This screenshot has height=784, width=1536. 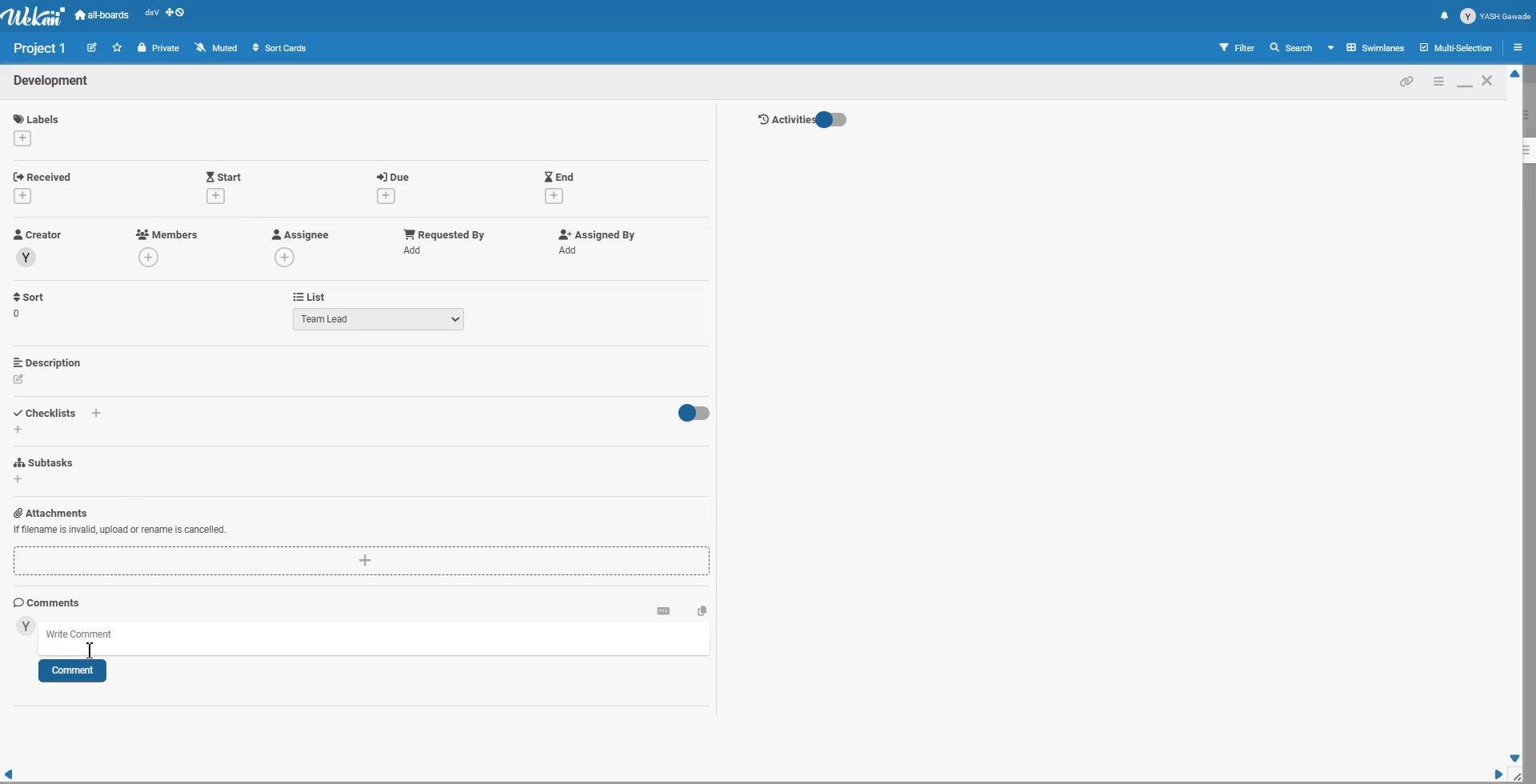 I want to click on Add Received, so click(x=46, y=175).